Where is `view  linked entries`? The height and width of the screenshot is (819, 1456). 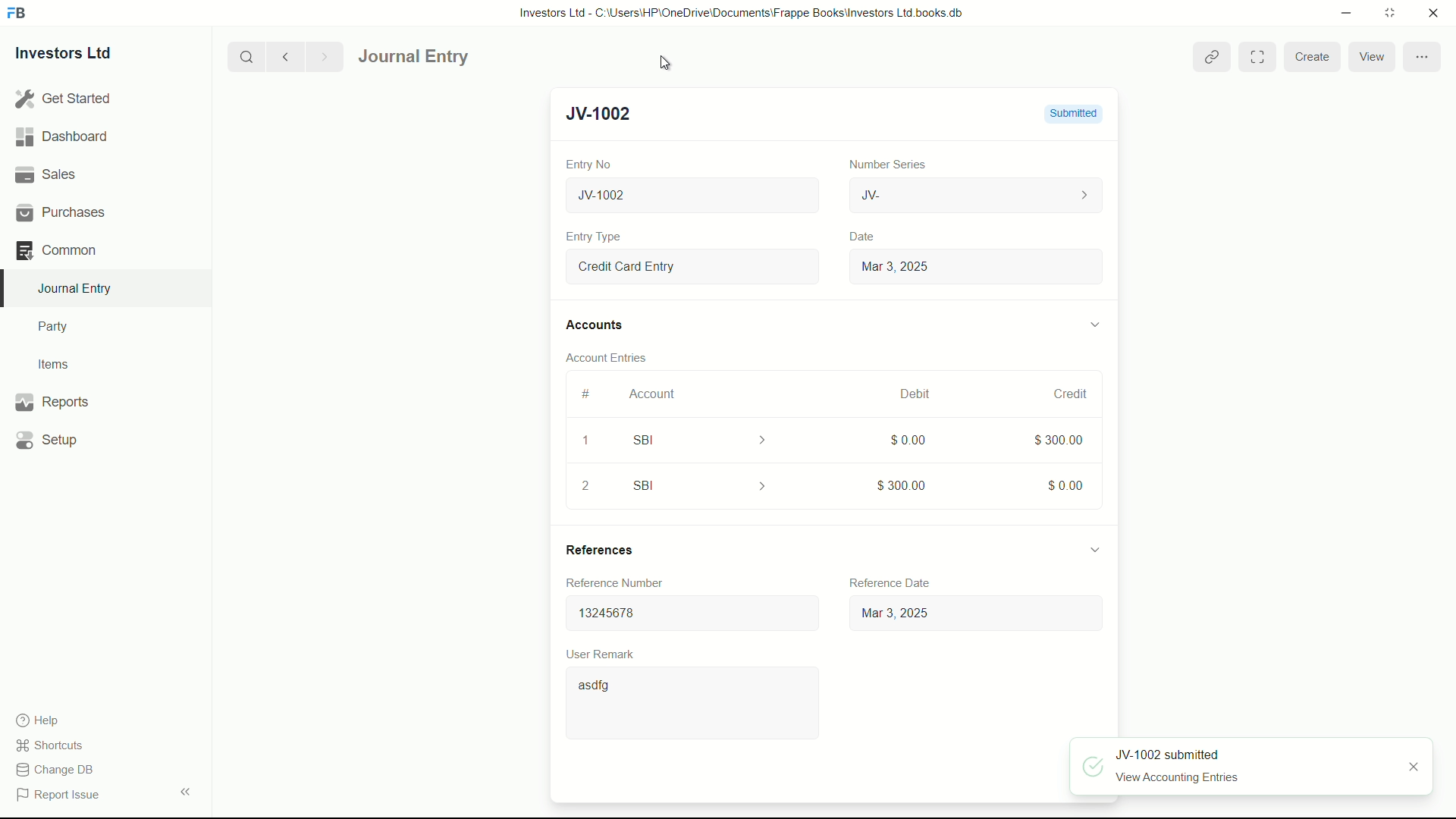 view  linked entries is located at coordinates (1213, 58).